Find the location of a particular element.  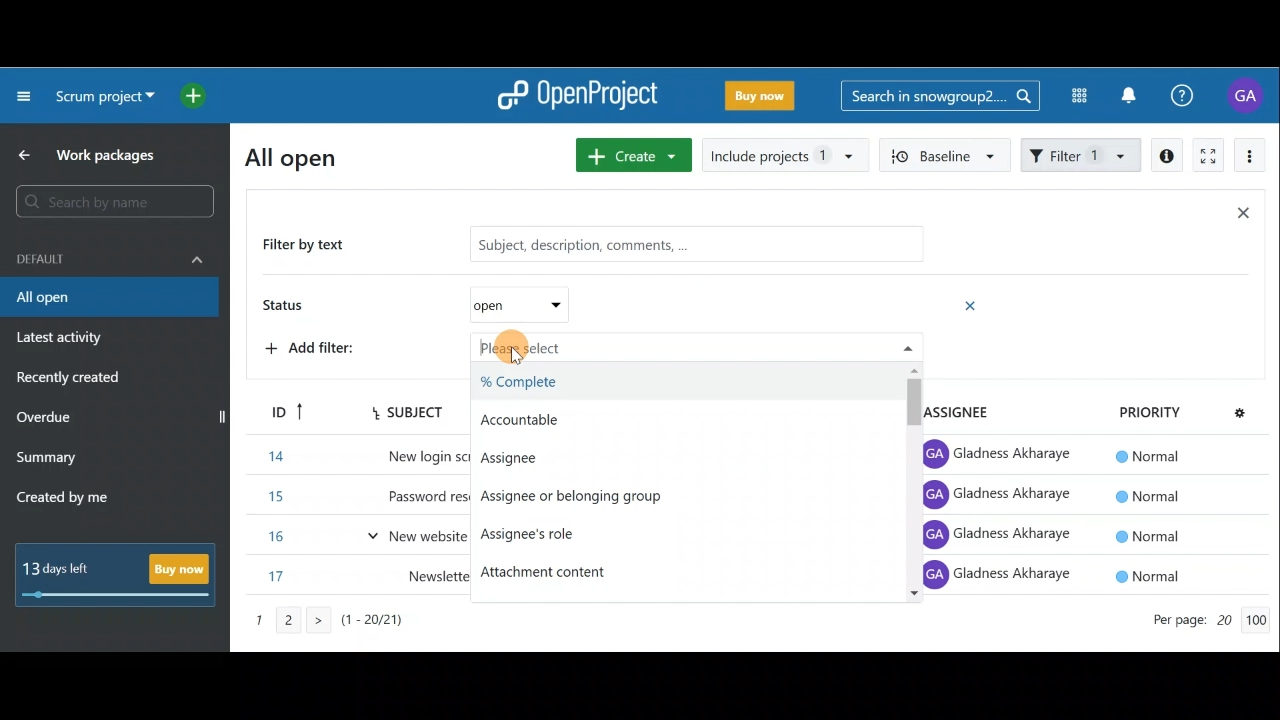

Item 8 is located at coordinates (1062, 538).